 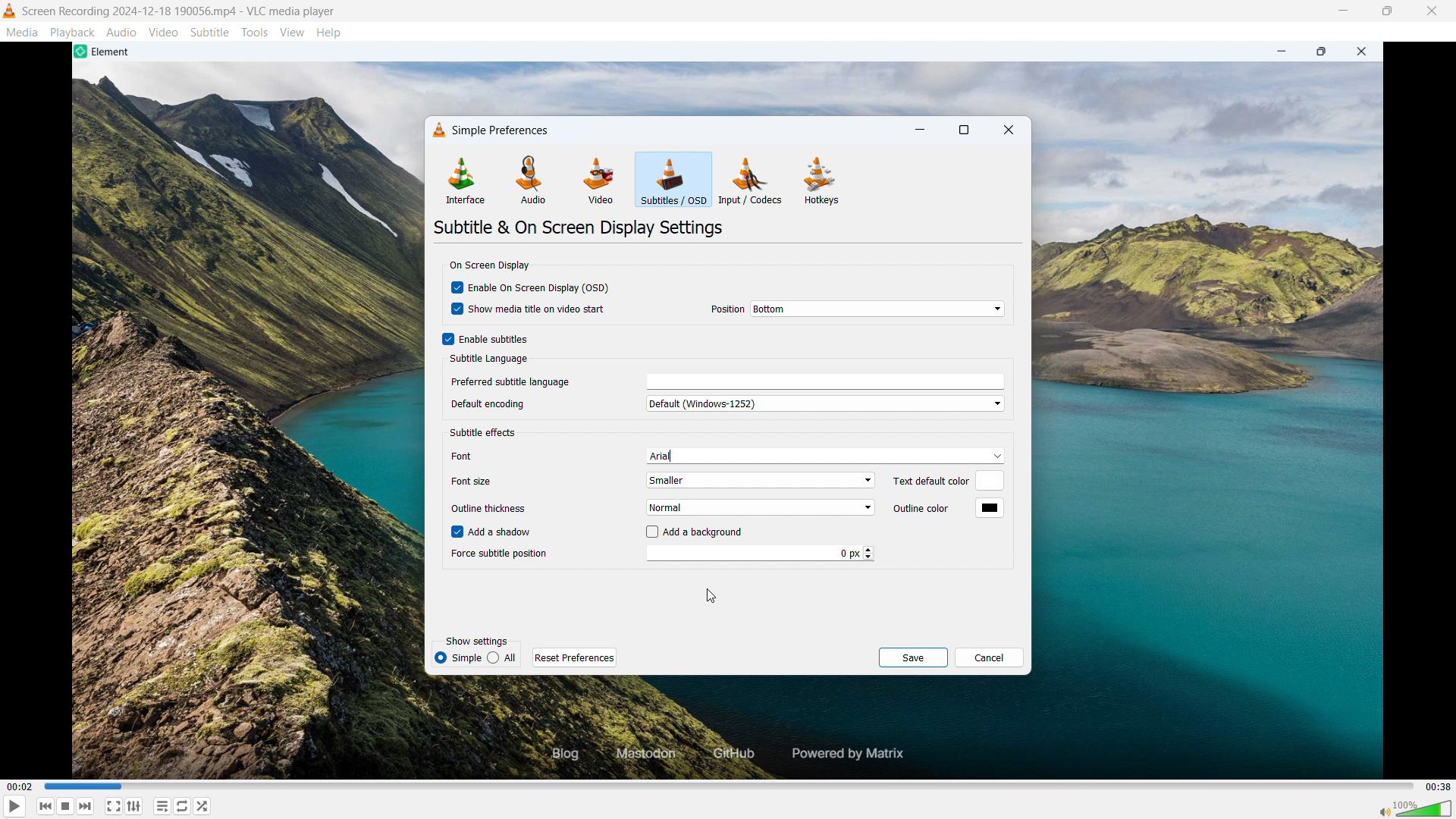 I want to click on audio, so click(x=531, y=180).